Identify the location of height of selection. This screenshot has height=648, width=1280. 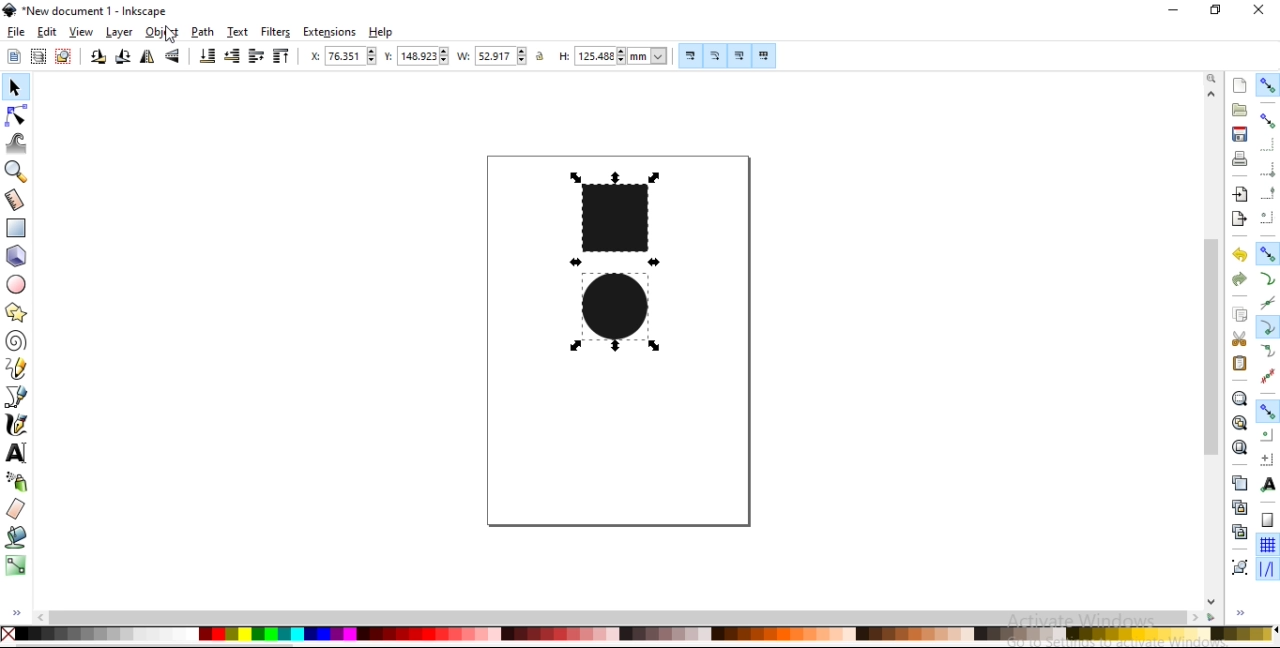
(611, 54).